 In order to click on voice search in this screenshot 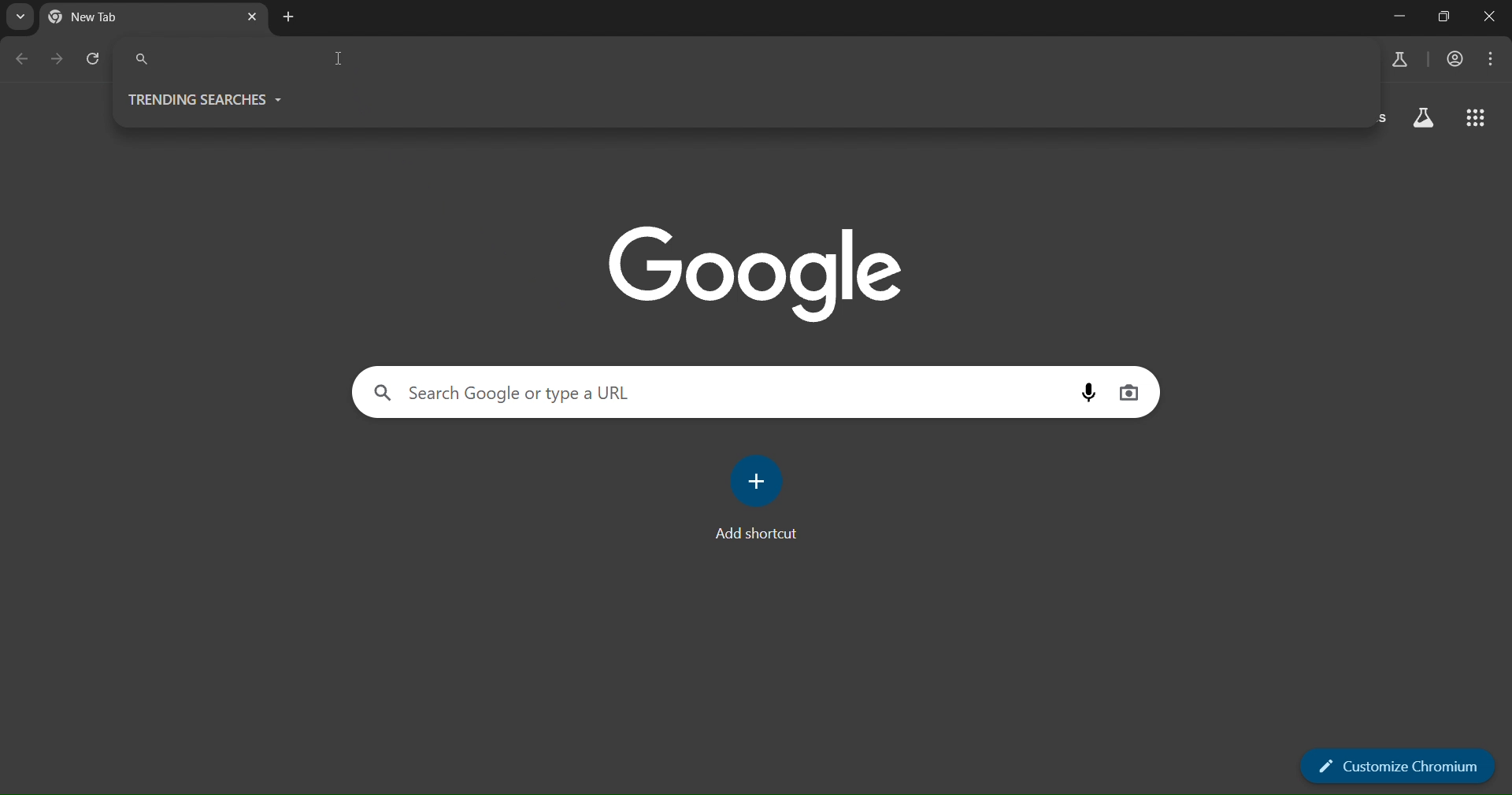, I will do `click(1091, 393)`.